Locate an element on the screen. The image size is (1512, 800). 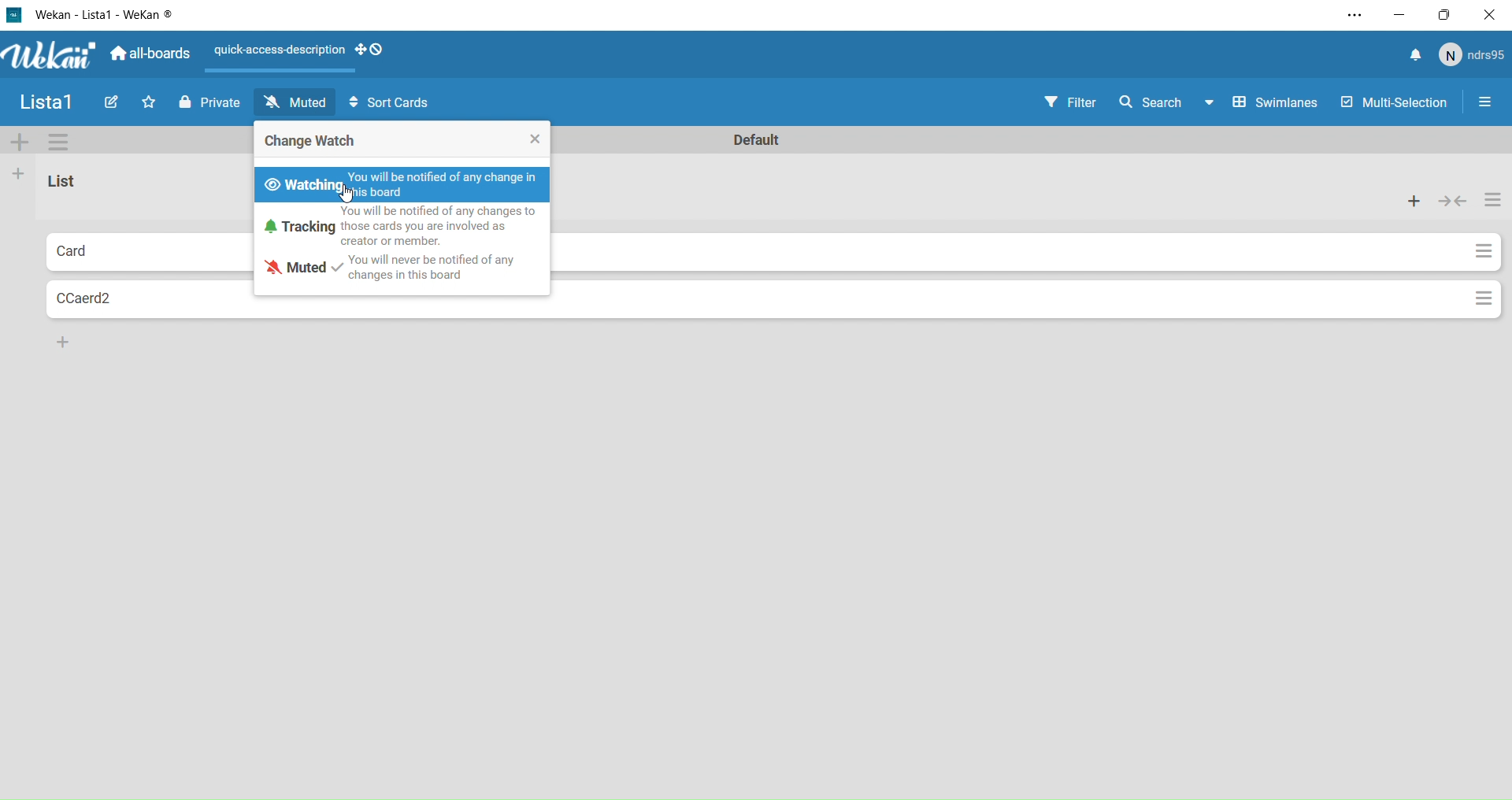
Options is located at coordinates (1483, 298).